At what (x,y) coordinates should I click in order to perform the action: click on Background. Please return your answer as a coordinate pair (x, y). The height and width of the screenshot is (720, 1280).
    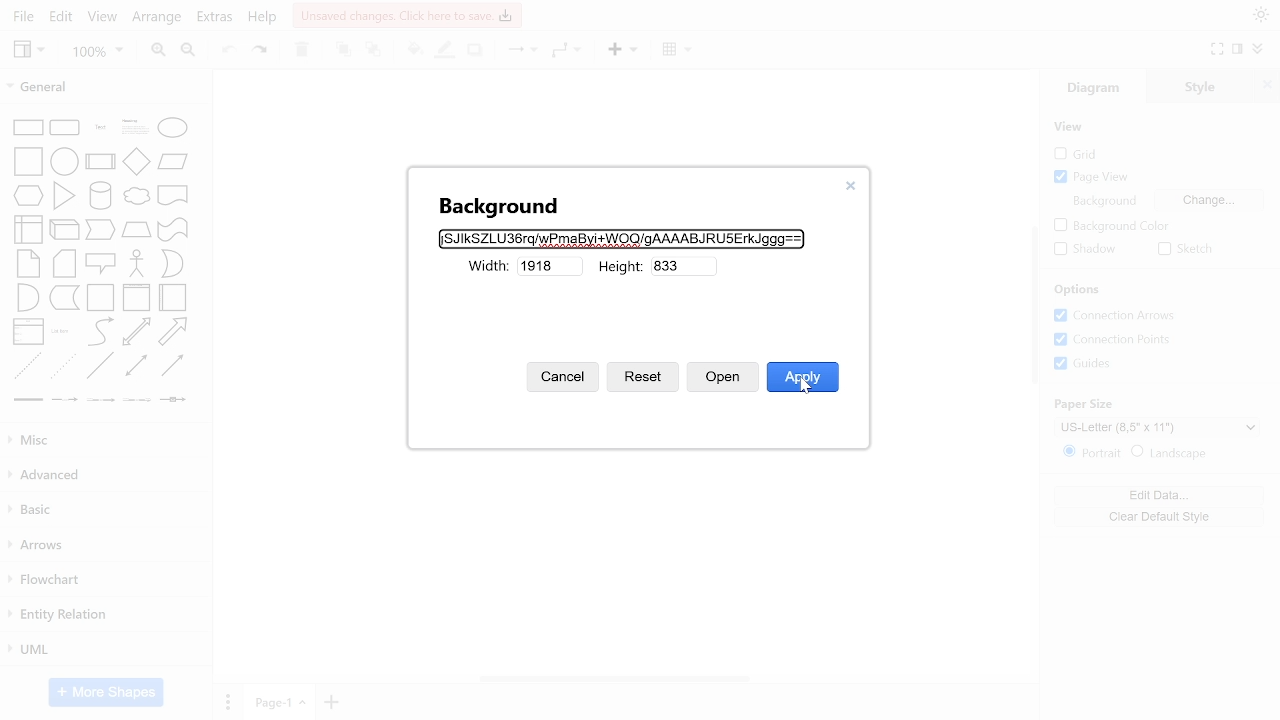
    Looking at the image, I should click on (496, 209).